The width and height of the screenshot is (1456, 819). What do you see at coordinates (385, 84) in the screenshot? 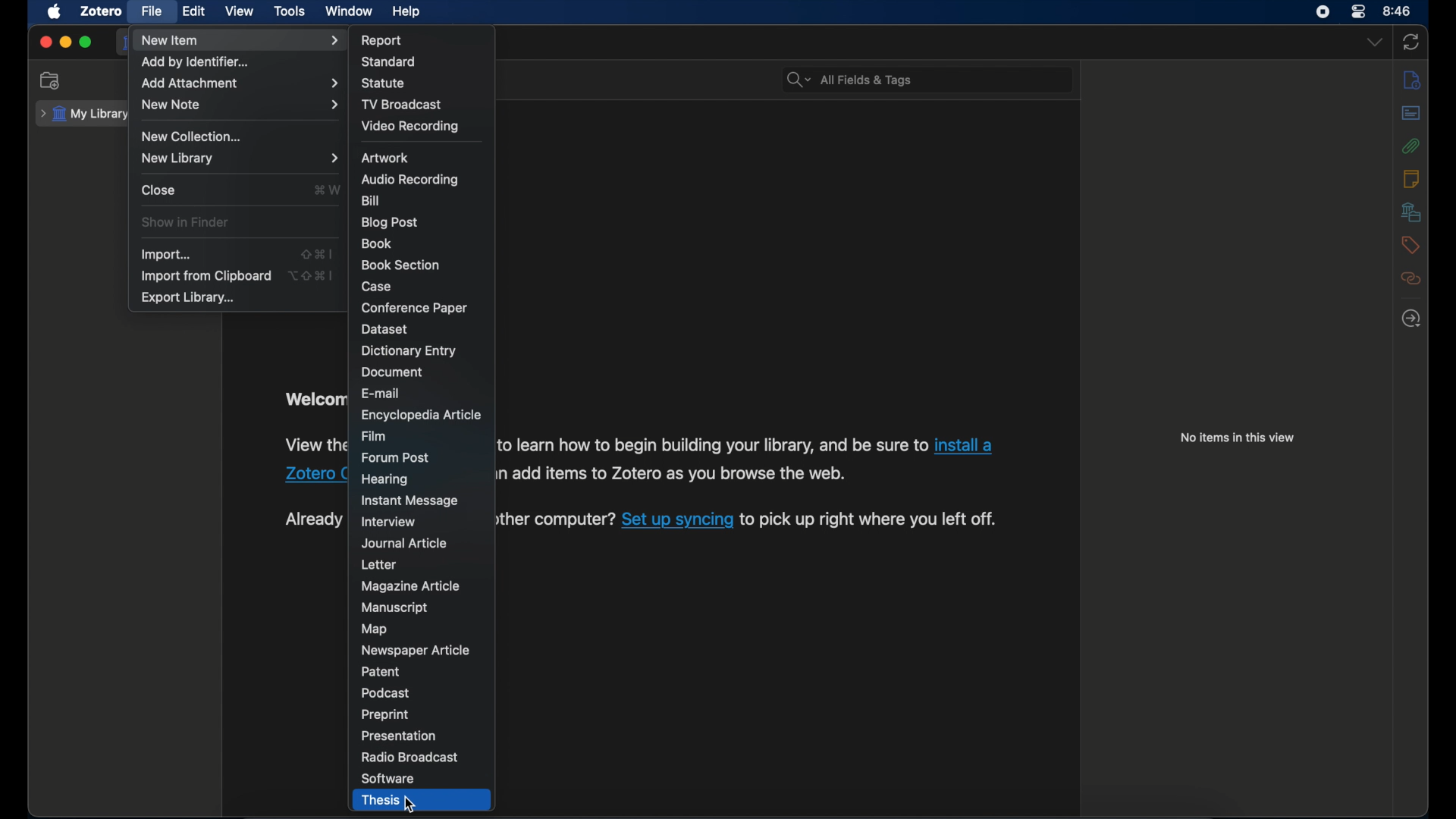
I see `statue` at bounding box center [385, 84].